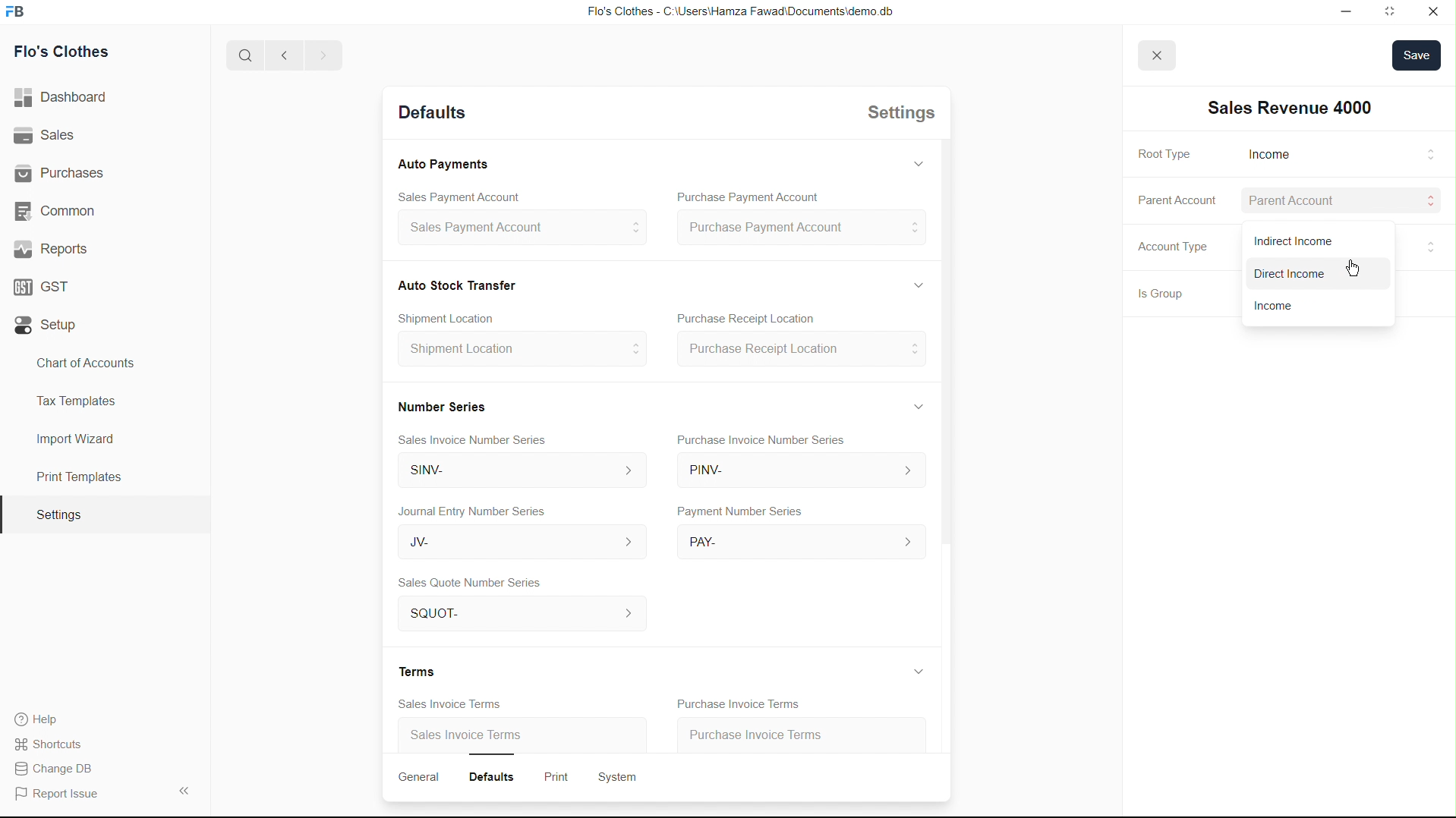 The image size is (1456, 818). What do you see at coordinates (279, 56) in the screenshot?
I see `Back` at bounding box center [279, 56].